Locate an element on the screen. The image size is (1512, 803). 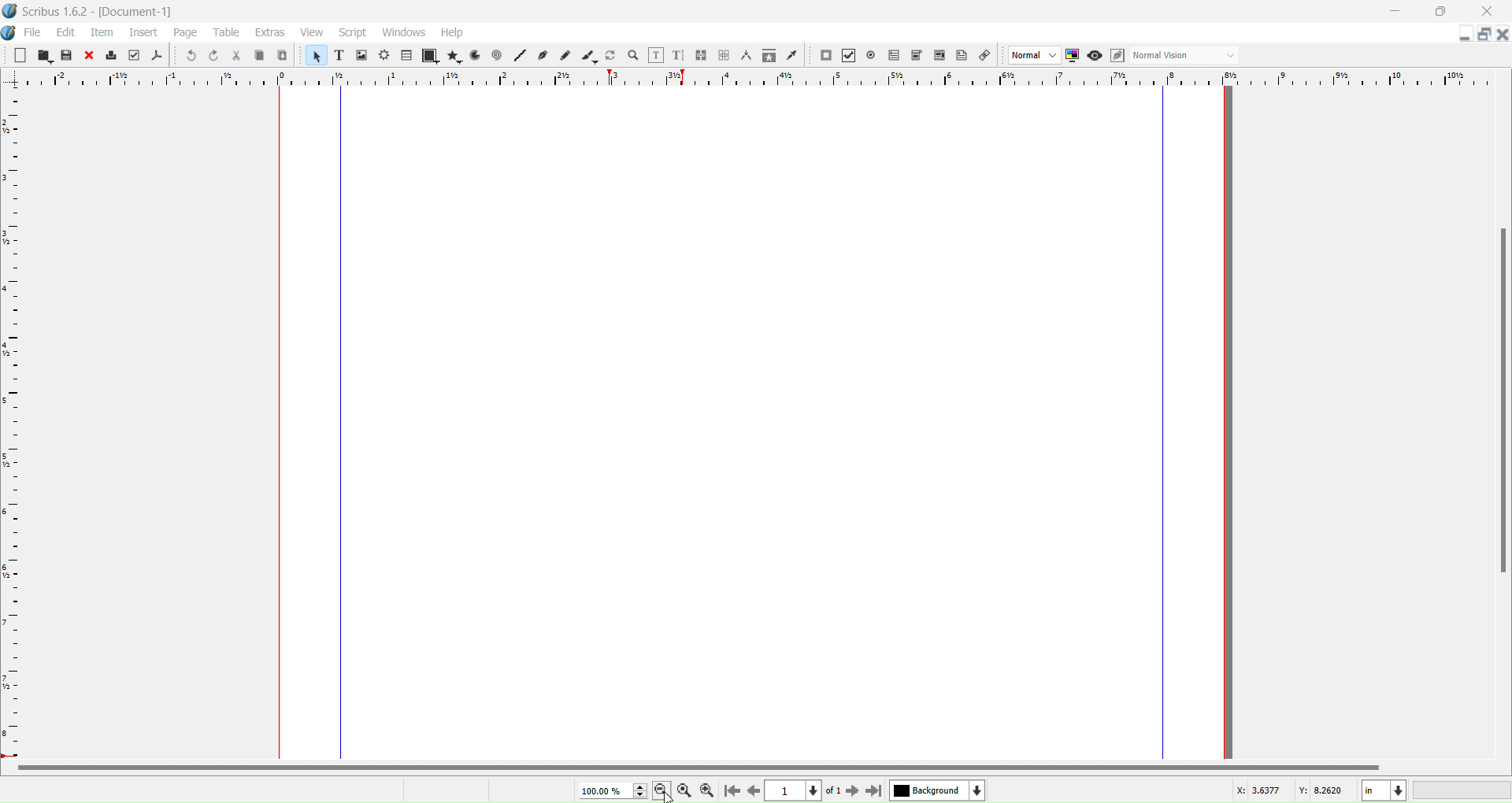
Toggle Color Management System is located at coordinates (1072, 55).